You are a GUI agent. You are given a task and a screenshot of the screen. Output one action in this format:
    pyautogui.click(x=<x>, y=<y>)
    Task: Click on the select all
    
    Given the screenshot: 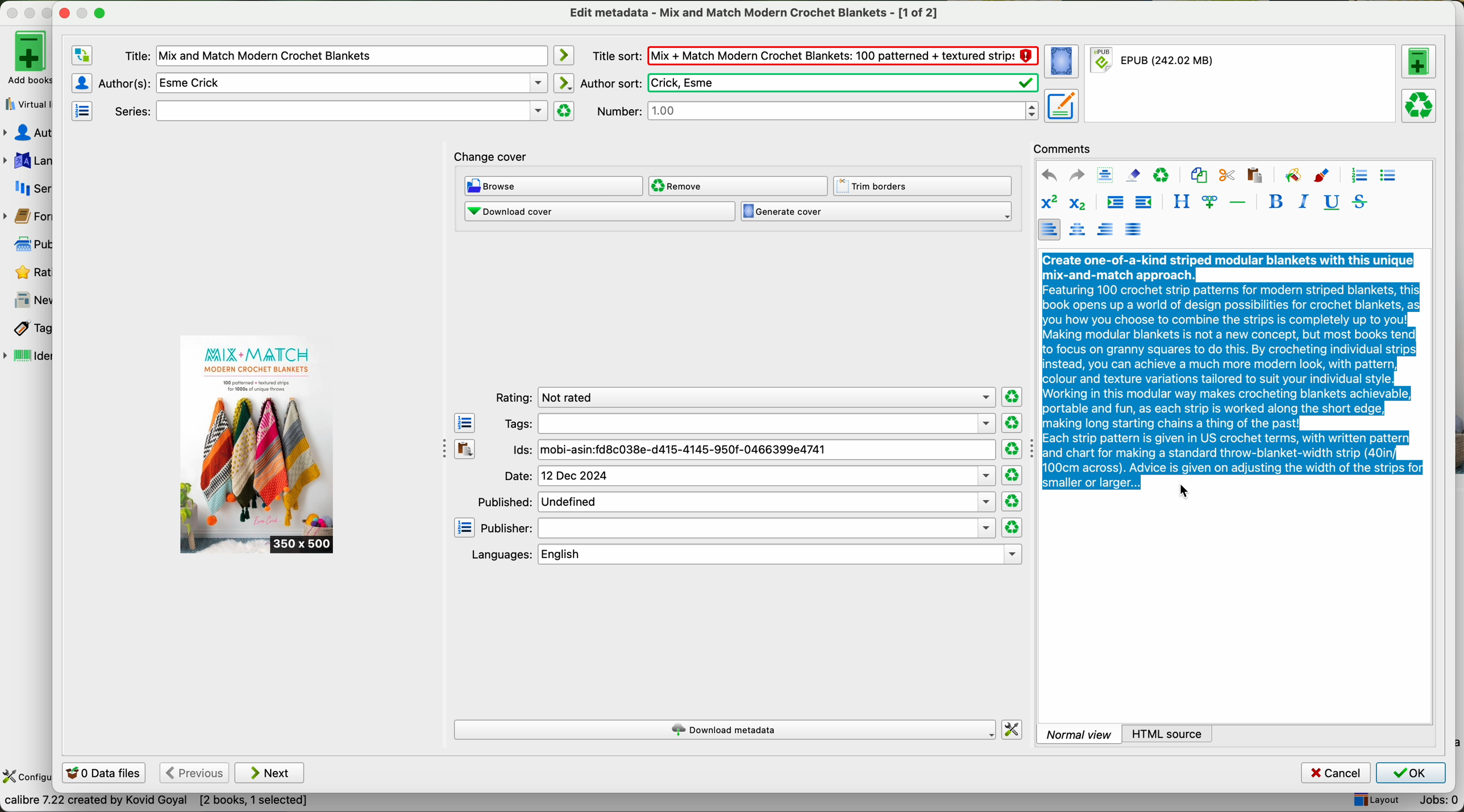 What is the action you would take?
    pyautogui.click(x=1105, y=176)
    